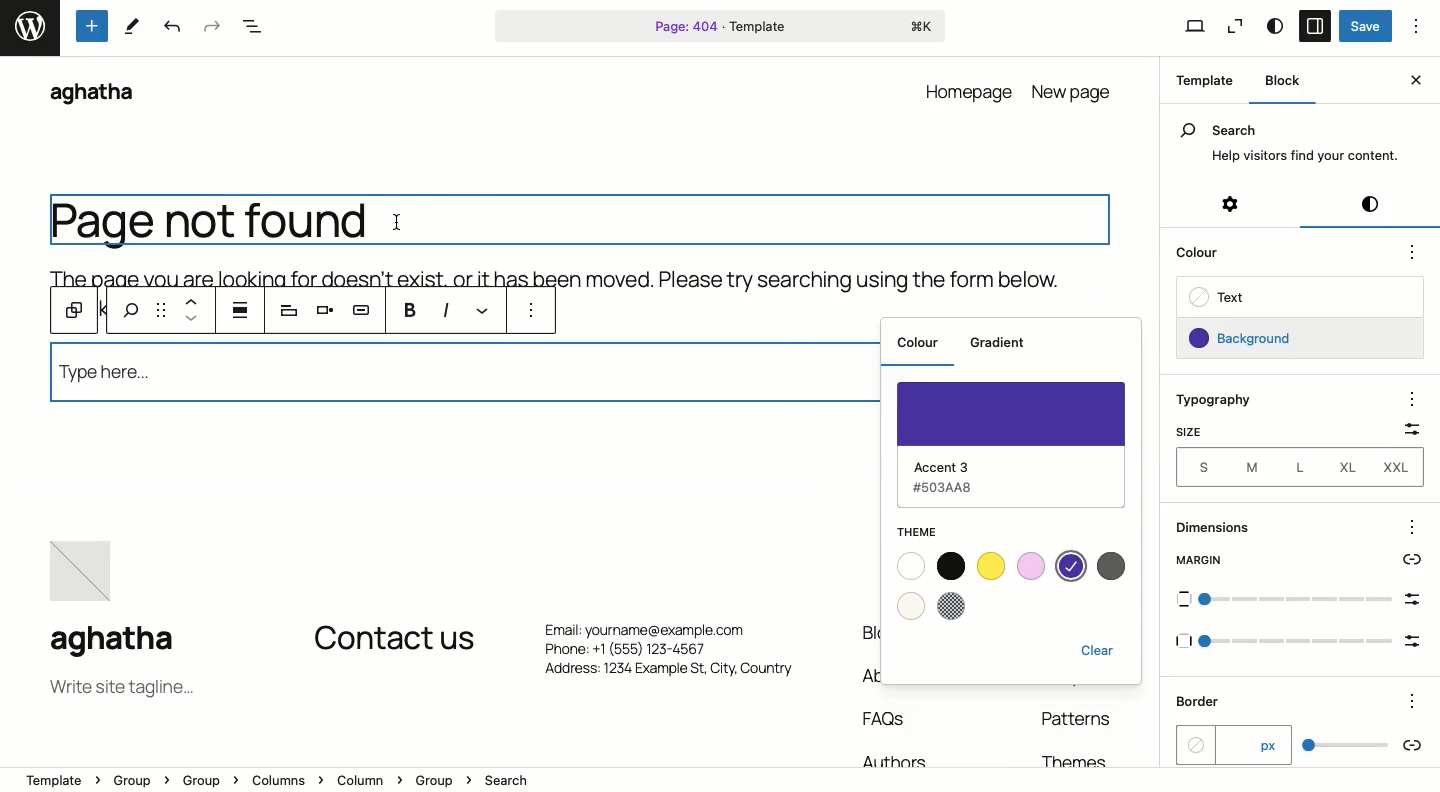 The height and width of the screenshot is (792, 1440). What do you see at coordinates (1250, 339) in the screenshot?
I see `Purple selected` at bounding box center [1250, 339].